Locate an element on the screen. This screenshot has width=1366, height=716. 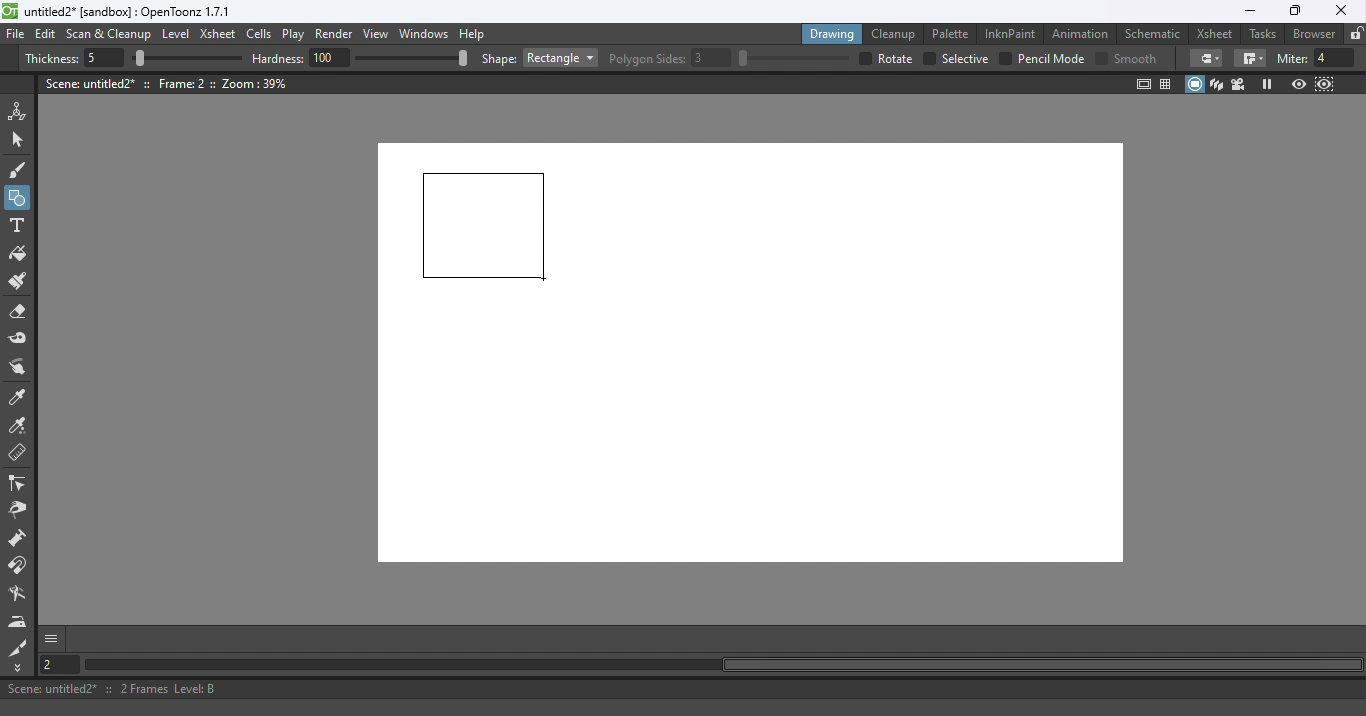
checkbox is located at coordinates (928, 59).